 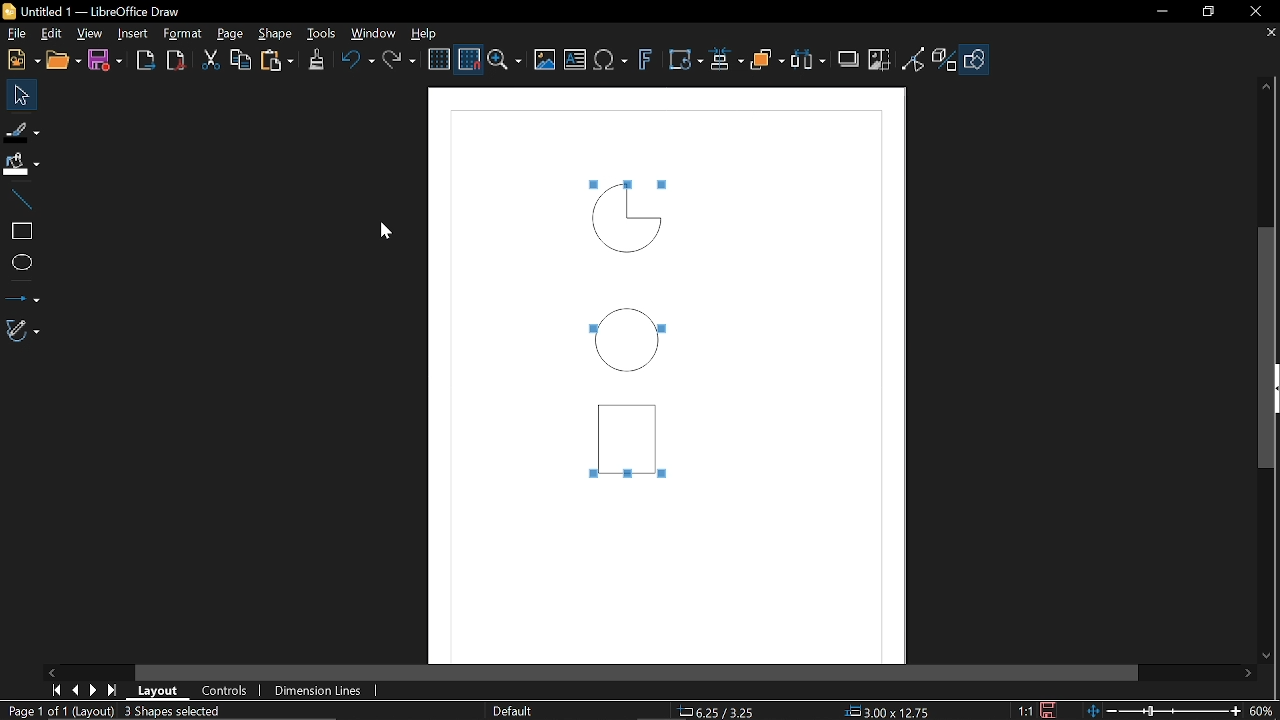 I want to click on Tiny squares sound selected objects, so click(x=669, y=184).